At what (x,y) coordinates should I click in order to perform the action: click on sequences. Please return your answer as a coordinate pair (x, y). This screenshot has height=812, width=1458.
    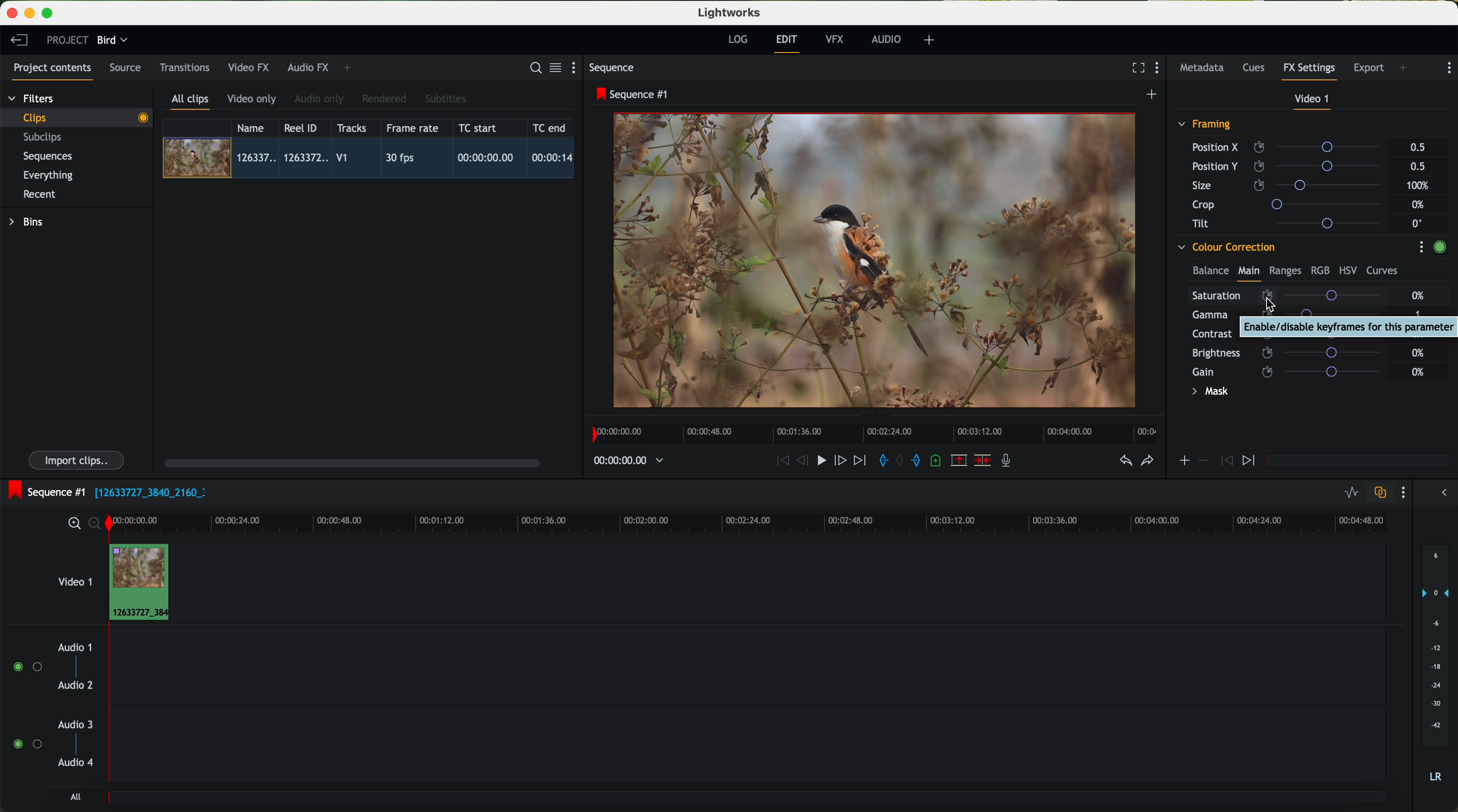
    Looking at the image, I should click on (48, 157).